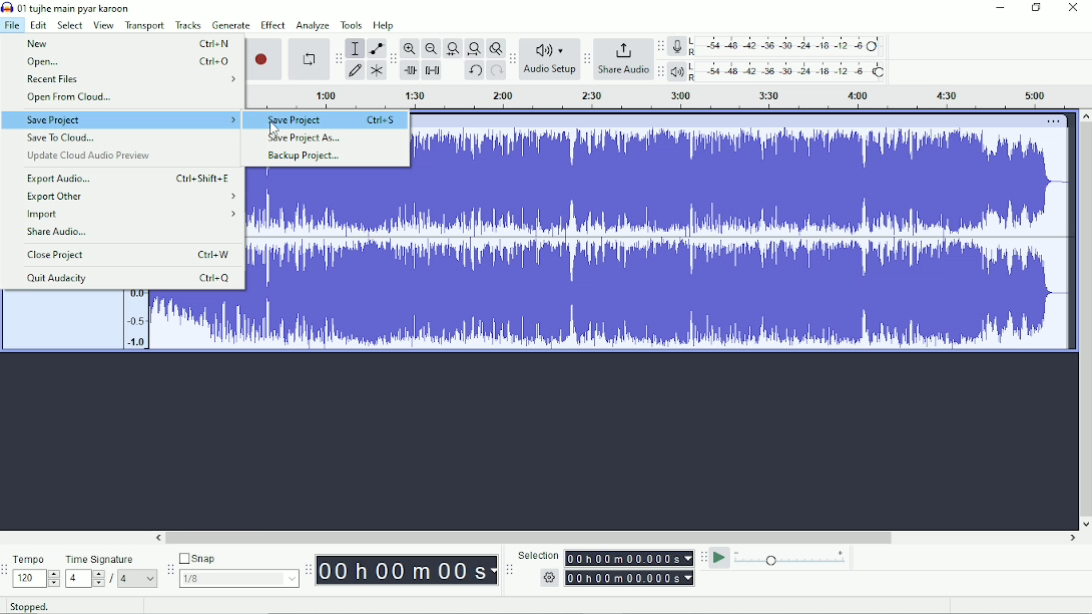 Image resolution: width=1092 pixels, height=614 pixels. Describe the element at coordinates (307, 59) in the screenshot. I see `Enable looping` at that location.